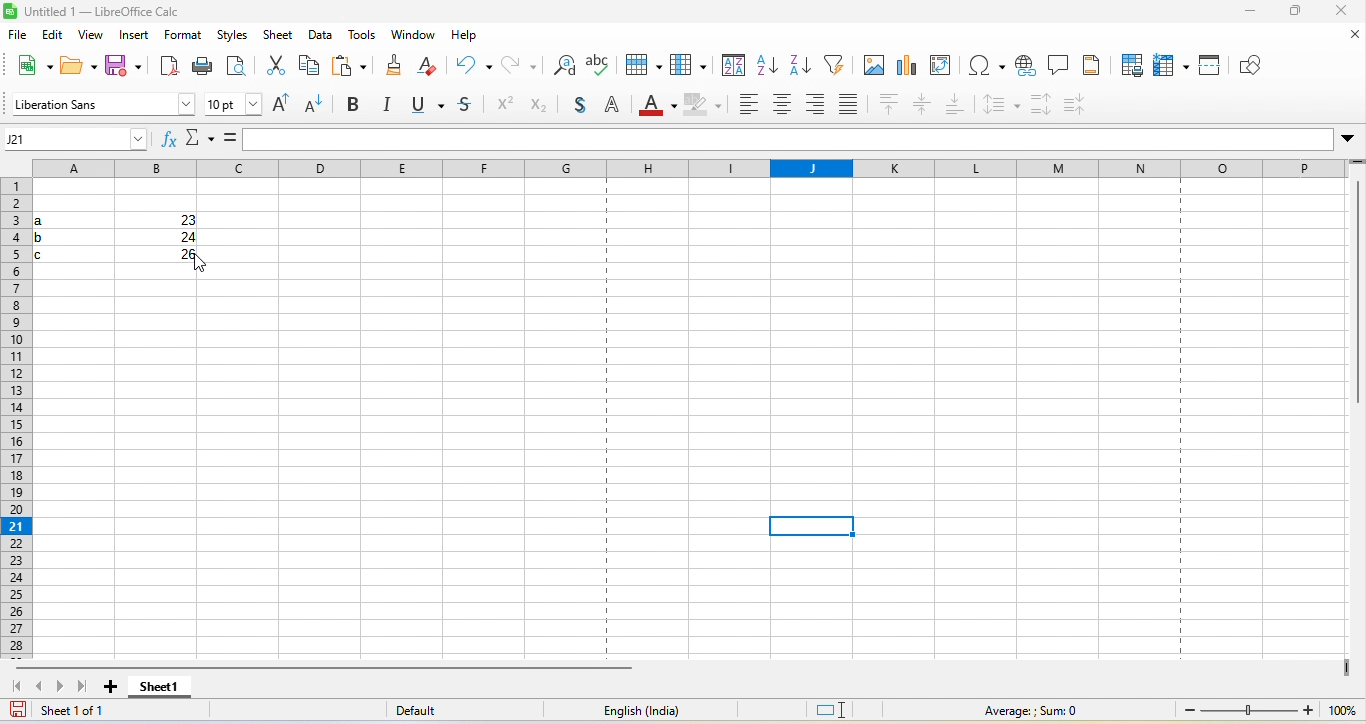 This screenshot has height=724, width=1366. What do you see at coordinates (15, 688) in the screenshot?
I see `first sheet` at bounding box center [15, 688].